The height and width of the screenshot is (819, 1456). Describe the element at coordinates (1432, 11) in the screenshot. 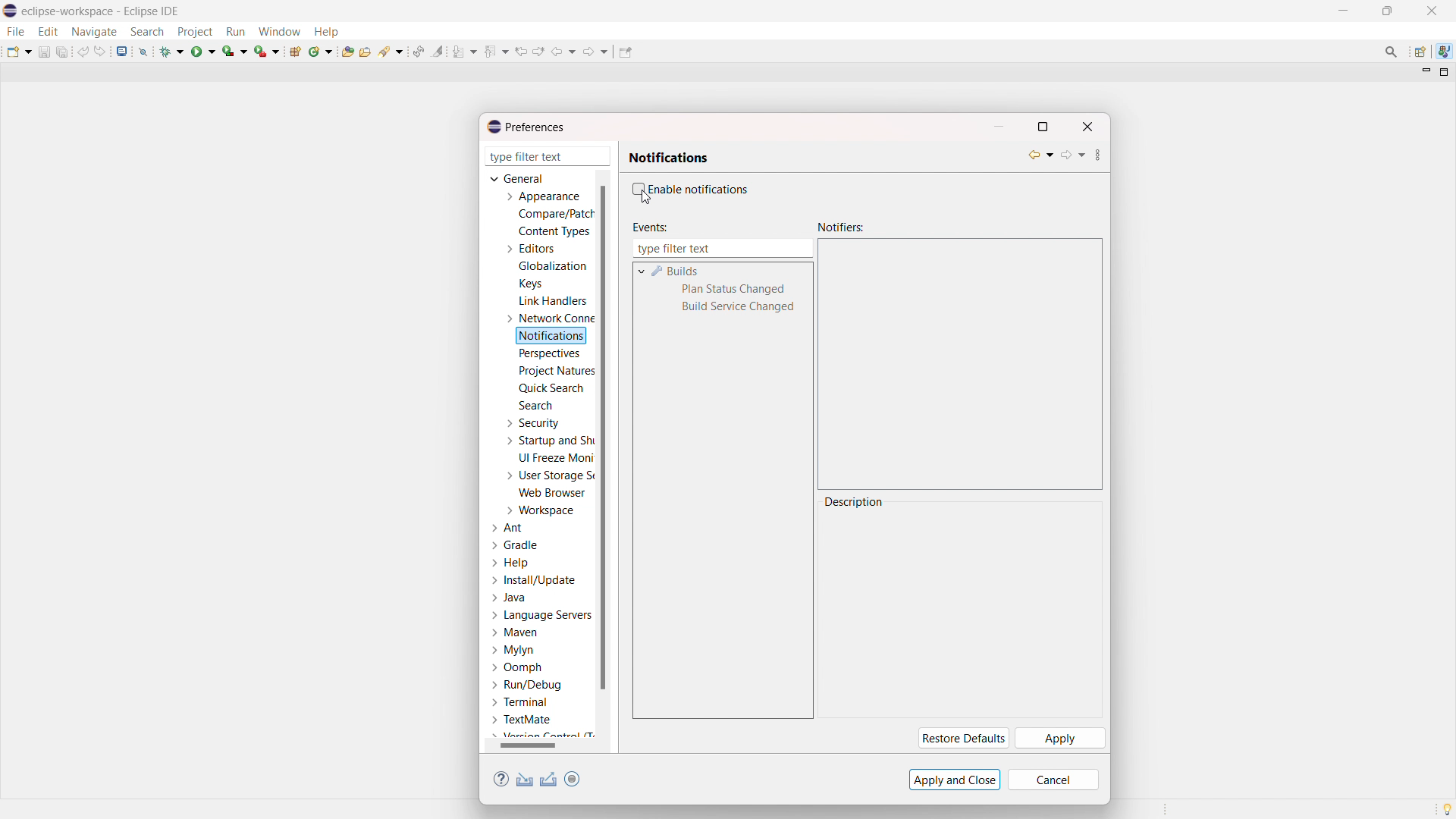

I see `close` at that location.